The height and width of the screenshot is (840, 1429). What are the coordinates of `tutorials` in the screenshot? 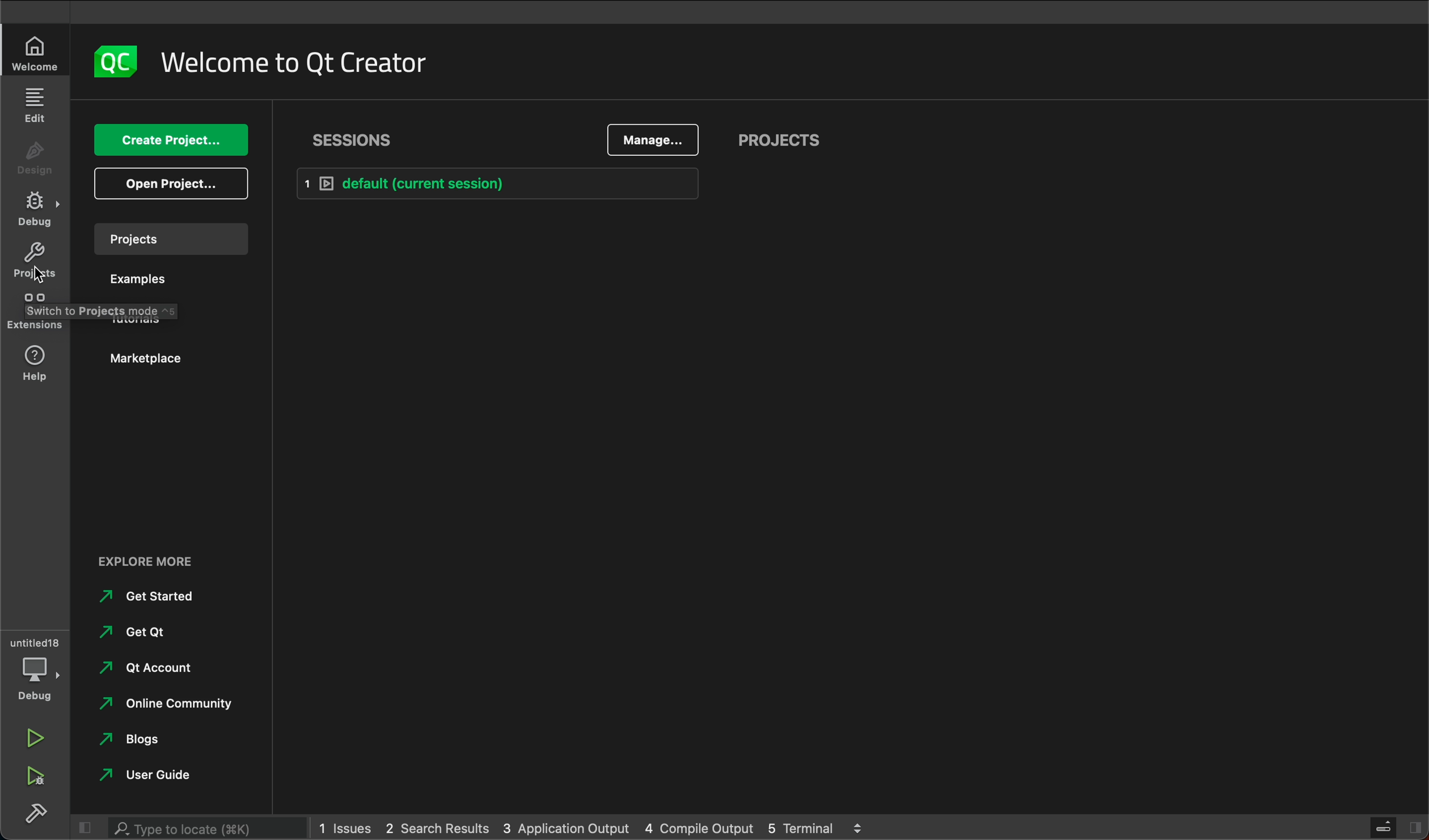 It's located at (143, 319).